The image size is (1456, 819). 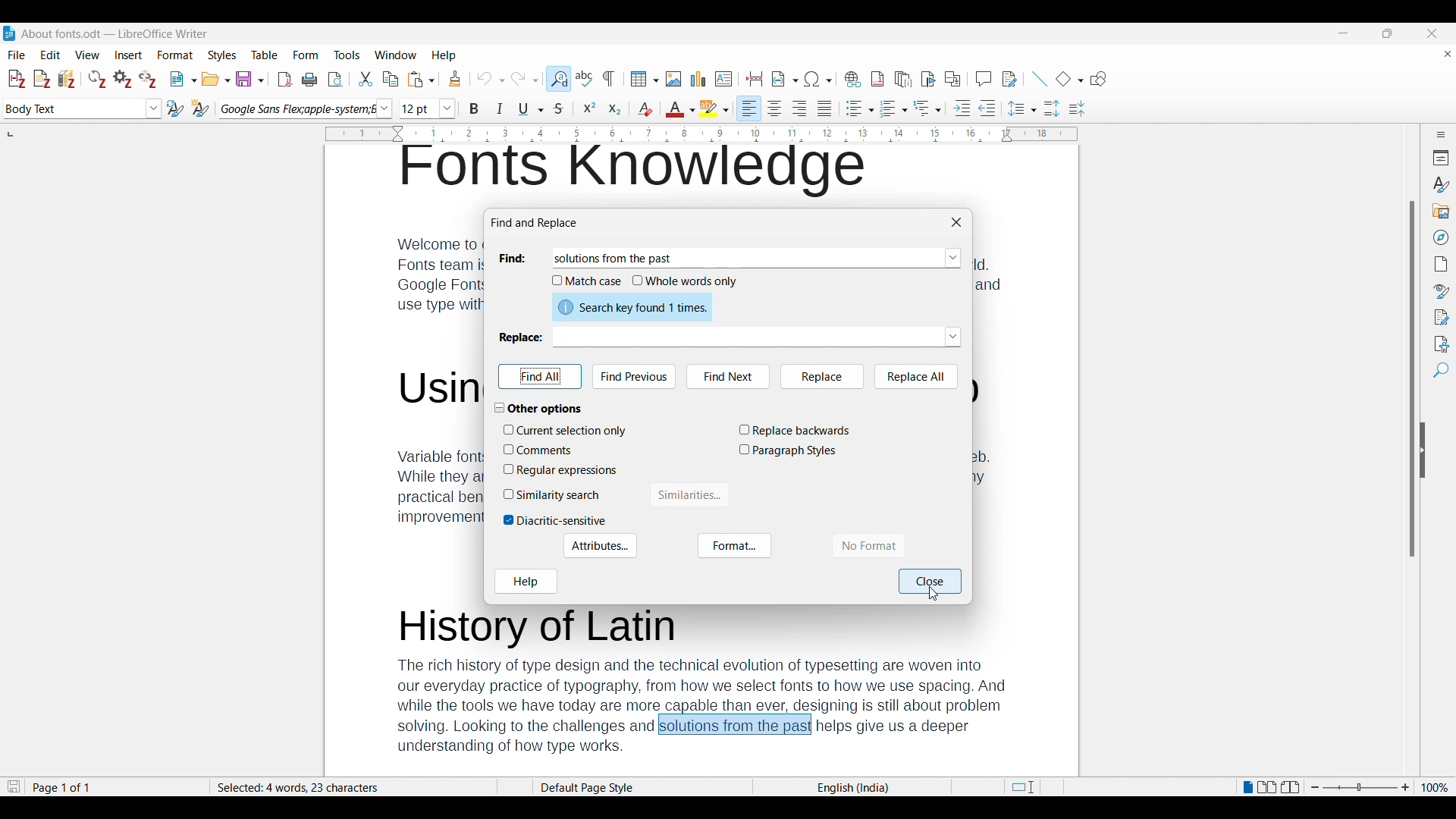 I want to click on Collapse Other options section, so click(x=544, y=409).